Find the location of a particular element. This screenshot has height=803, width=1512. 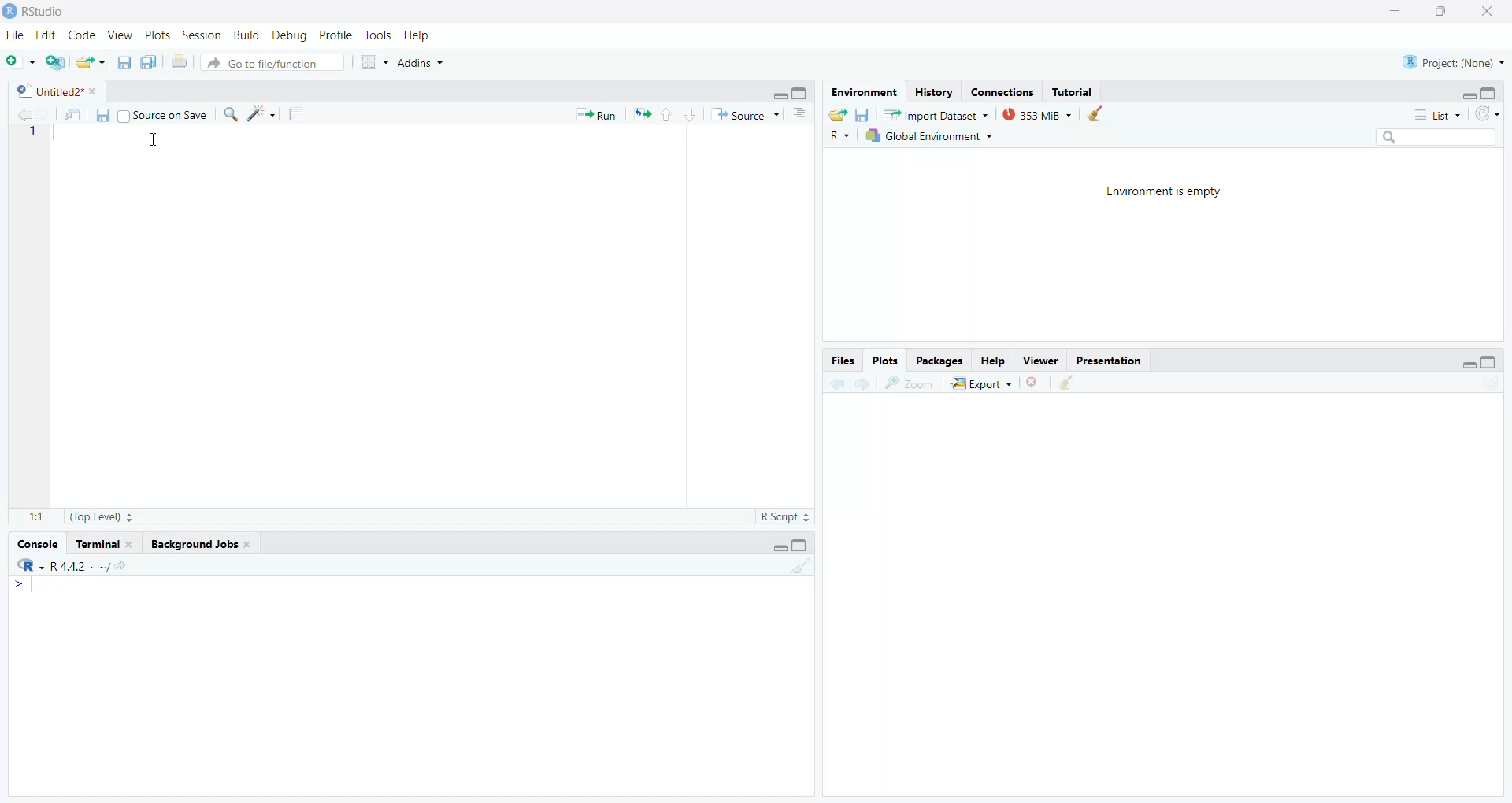

 353 MB ~ is located at coordinates (1036, 115).